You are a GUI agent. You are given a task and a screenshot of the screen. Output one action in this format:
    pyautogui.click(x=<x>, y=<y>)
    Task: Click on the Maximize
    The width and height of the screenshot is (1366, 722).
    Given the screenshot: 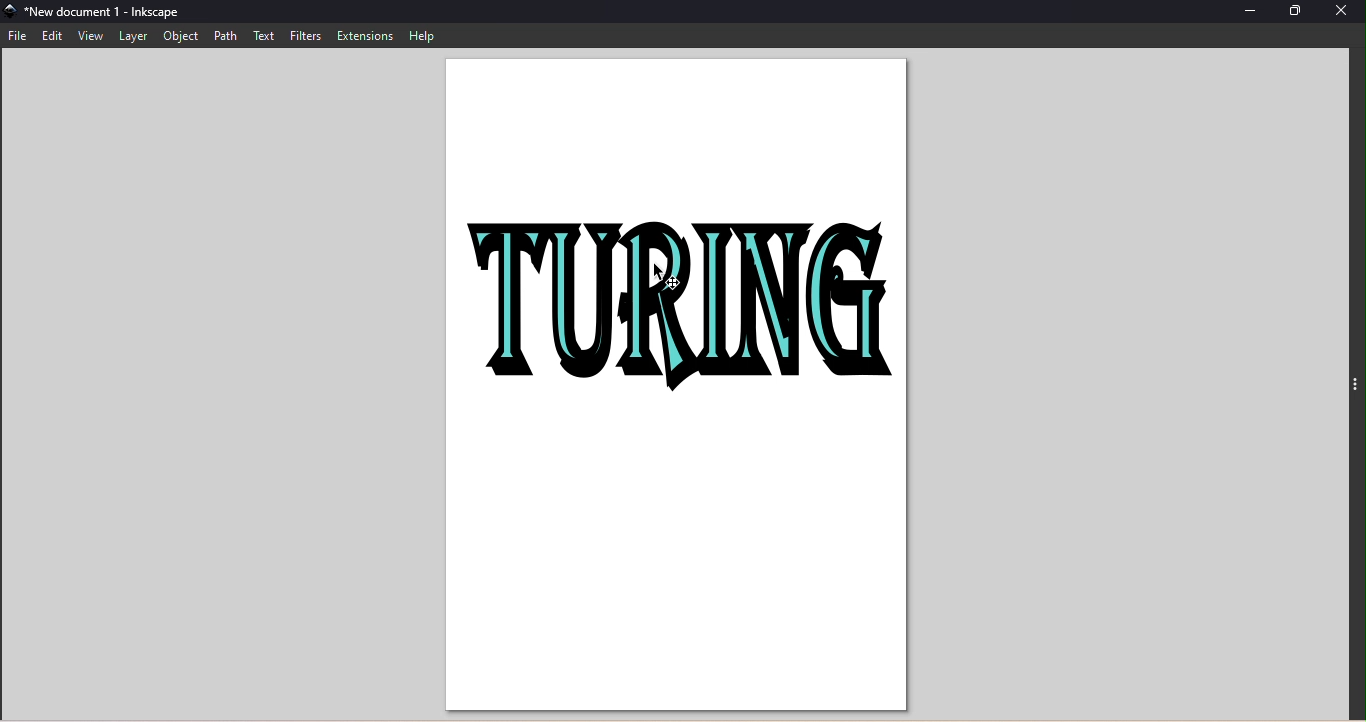 What is the action you would take?
    pyautogui.click(x=1301, y=12)
    